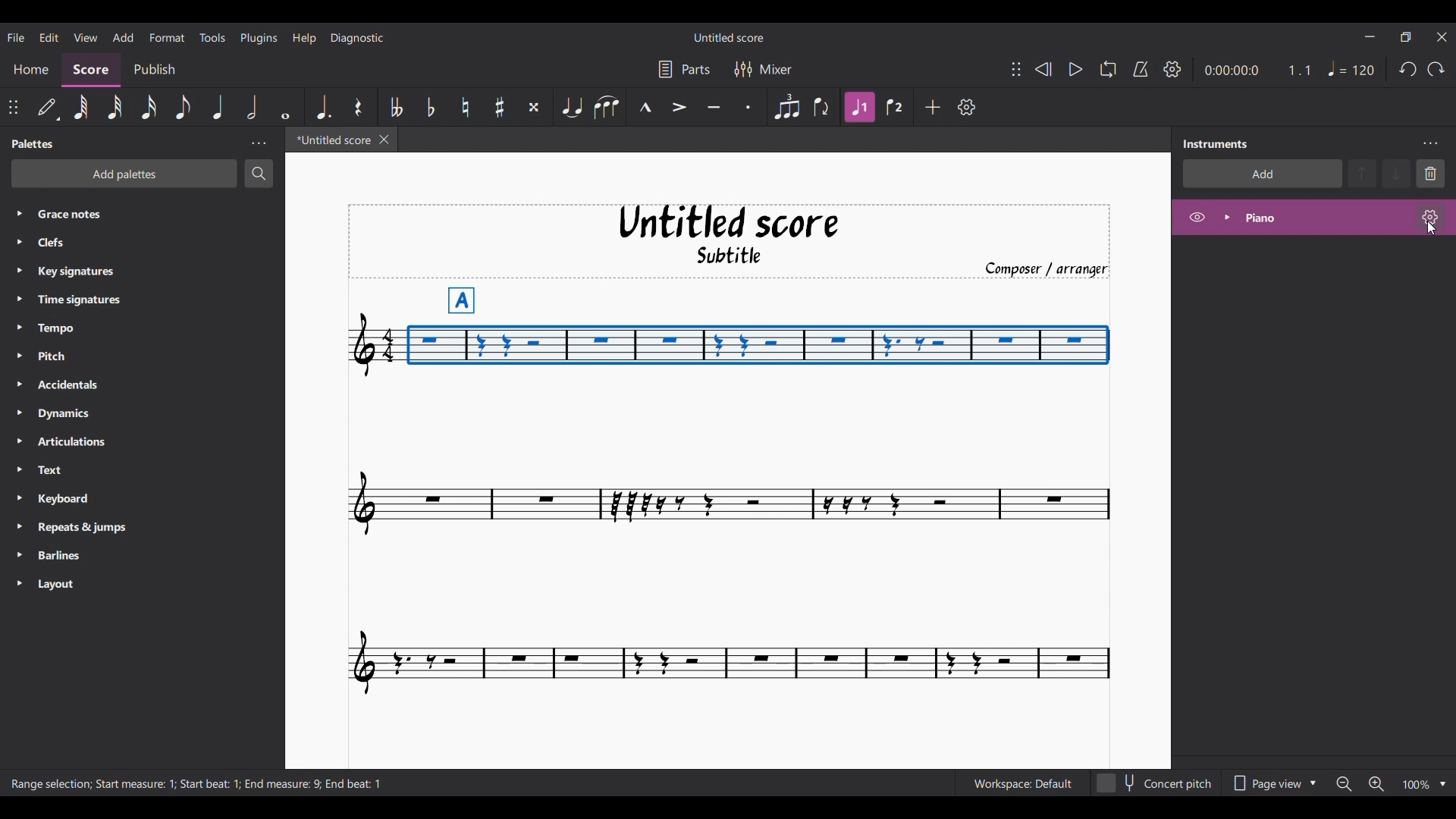  I want to click on Tools menu, so click(212, 38).